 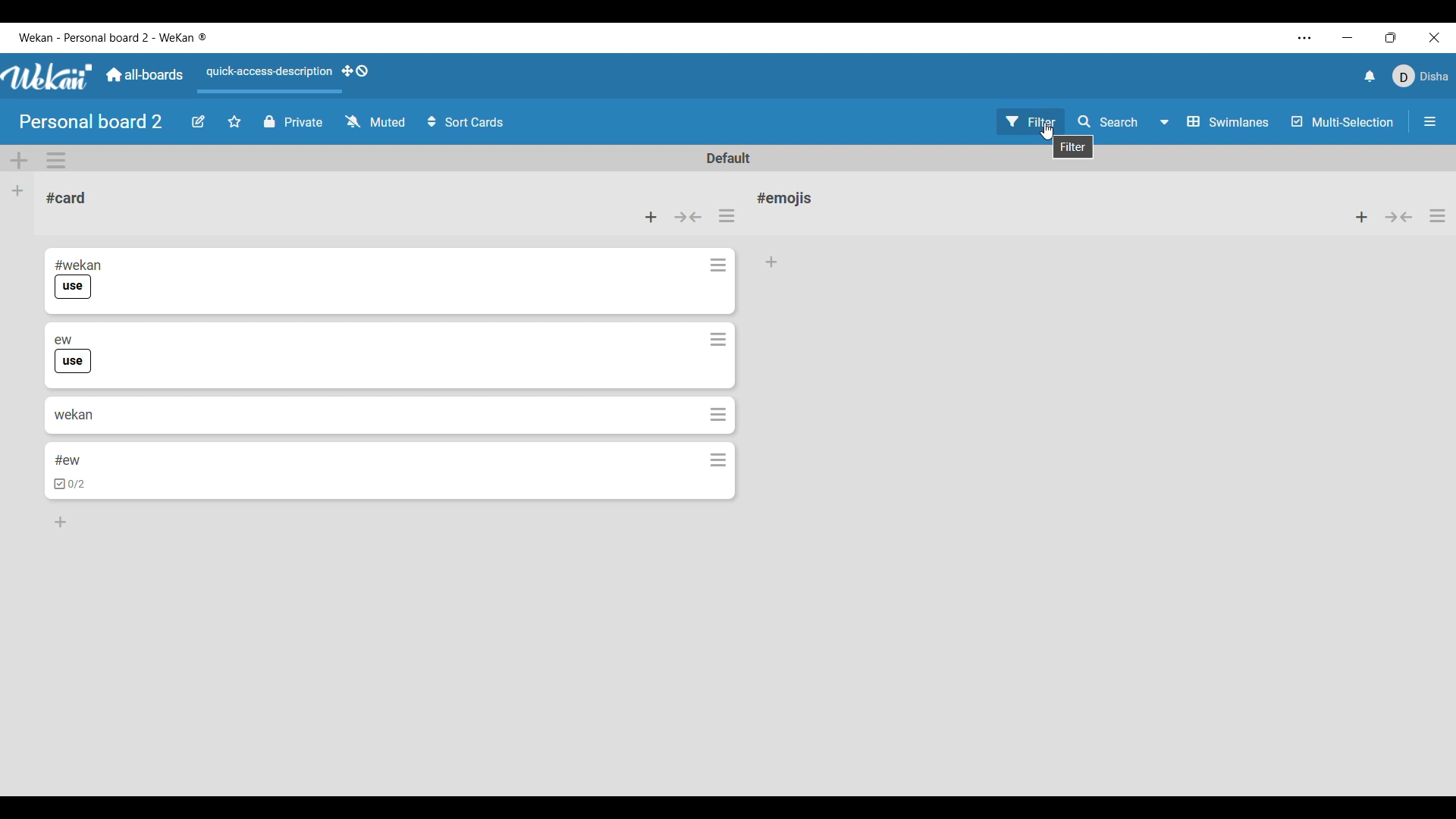 I want to click on Card actions for respective card, so click(x=720, y=265).